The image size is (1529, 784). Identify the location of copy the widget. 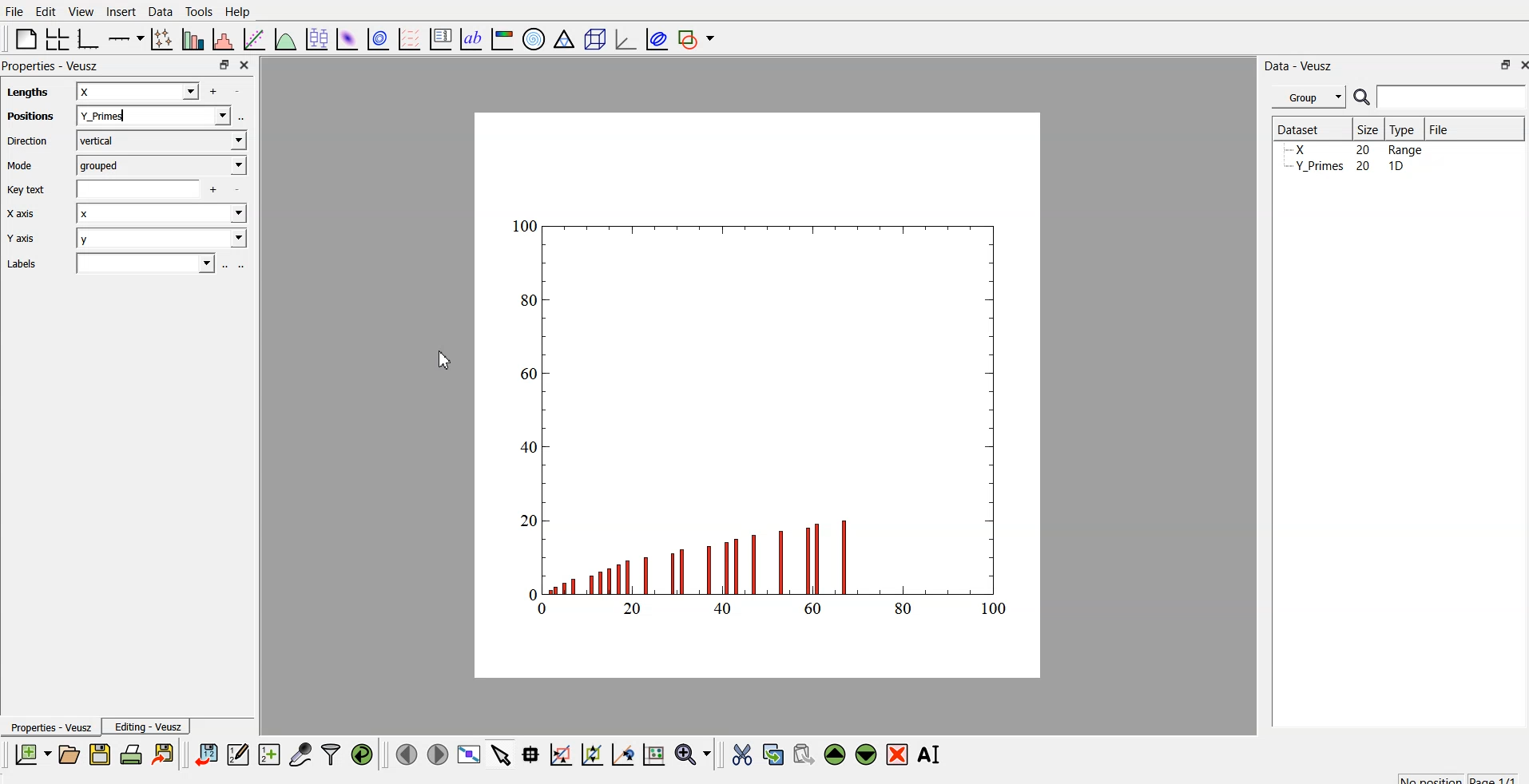
(772, 754).